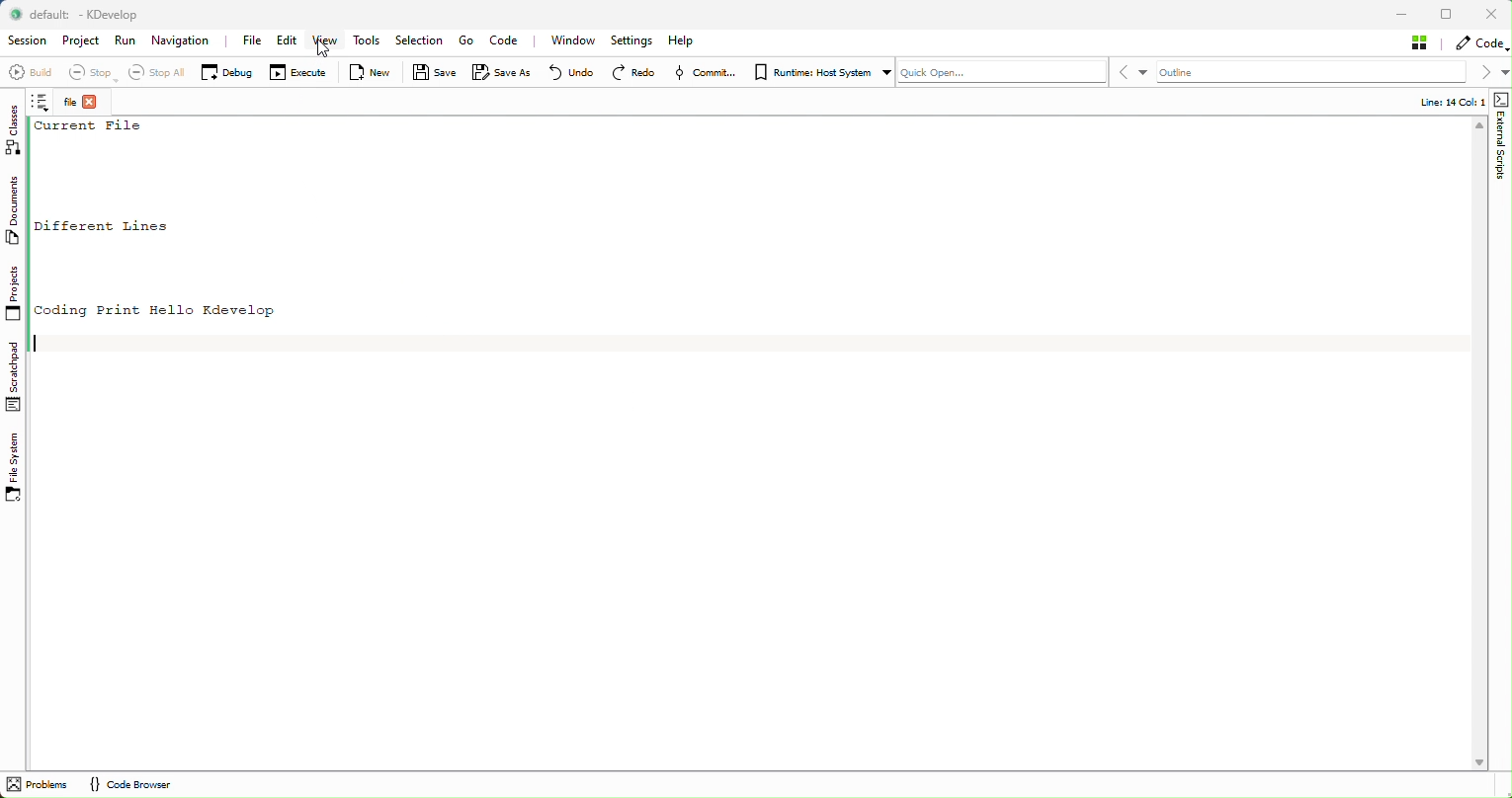  I want to click on Tools, so click(371, 42).